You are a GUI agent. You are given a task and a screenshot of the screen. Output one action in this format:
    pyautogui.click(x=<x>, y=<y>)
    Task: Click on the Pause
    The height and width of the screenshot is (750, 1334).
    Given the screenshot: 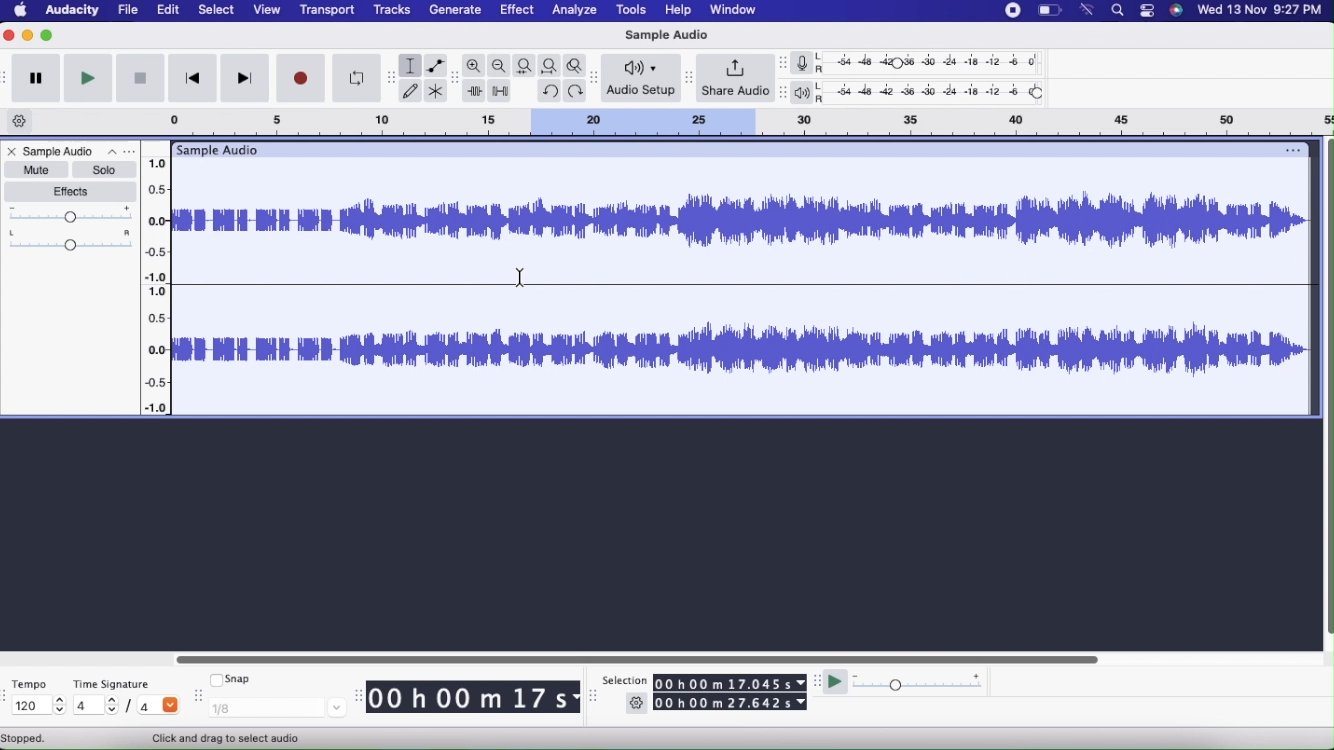 What is the action you would take?
    pyautogui.click(x=36, y=79)
    